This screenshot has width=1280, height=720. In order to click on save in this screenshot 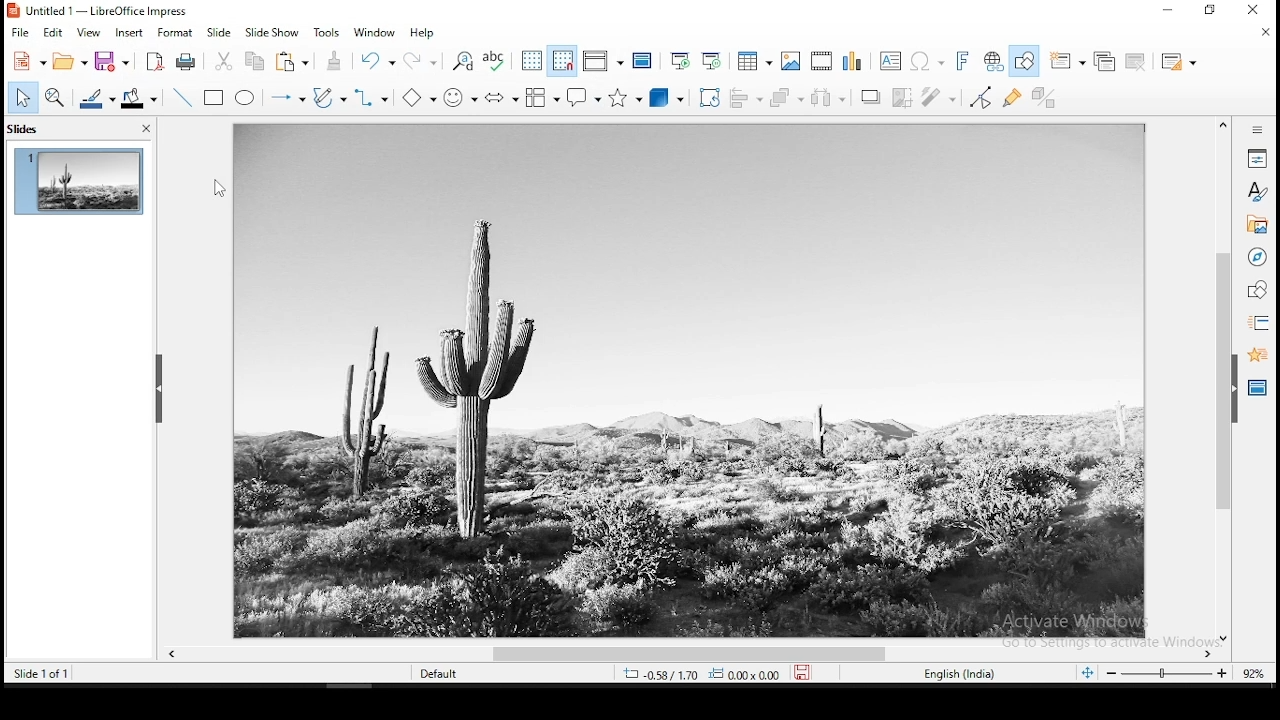, I will do `click(113, 60)`.